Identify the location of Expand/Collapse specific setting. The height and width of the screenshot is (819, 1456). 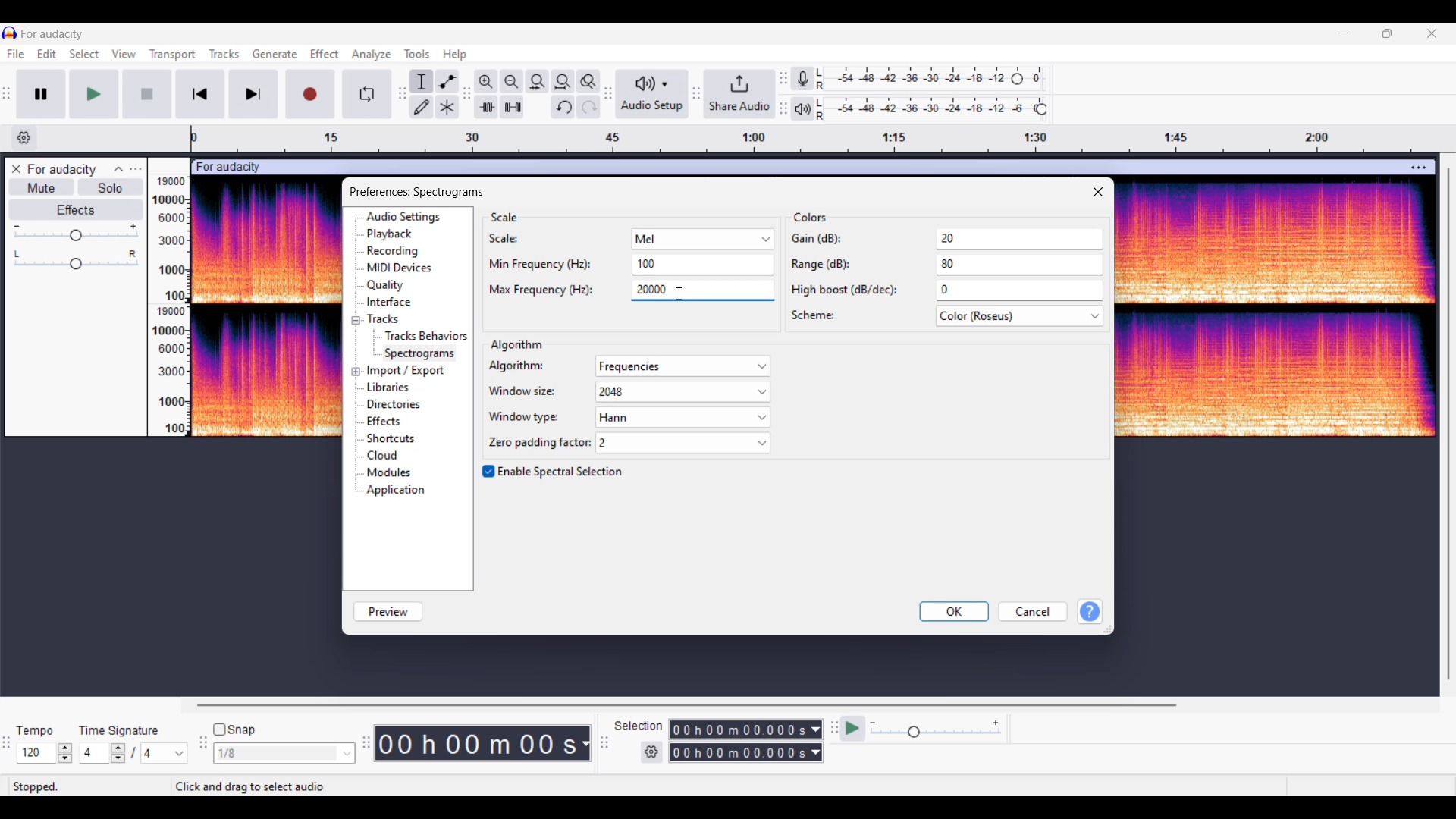
(356, 347).